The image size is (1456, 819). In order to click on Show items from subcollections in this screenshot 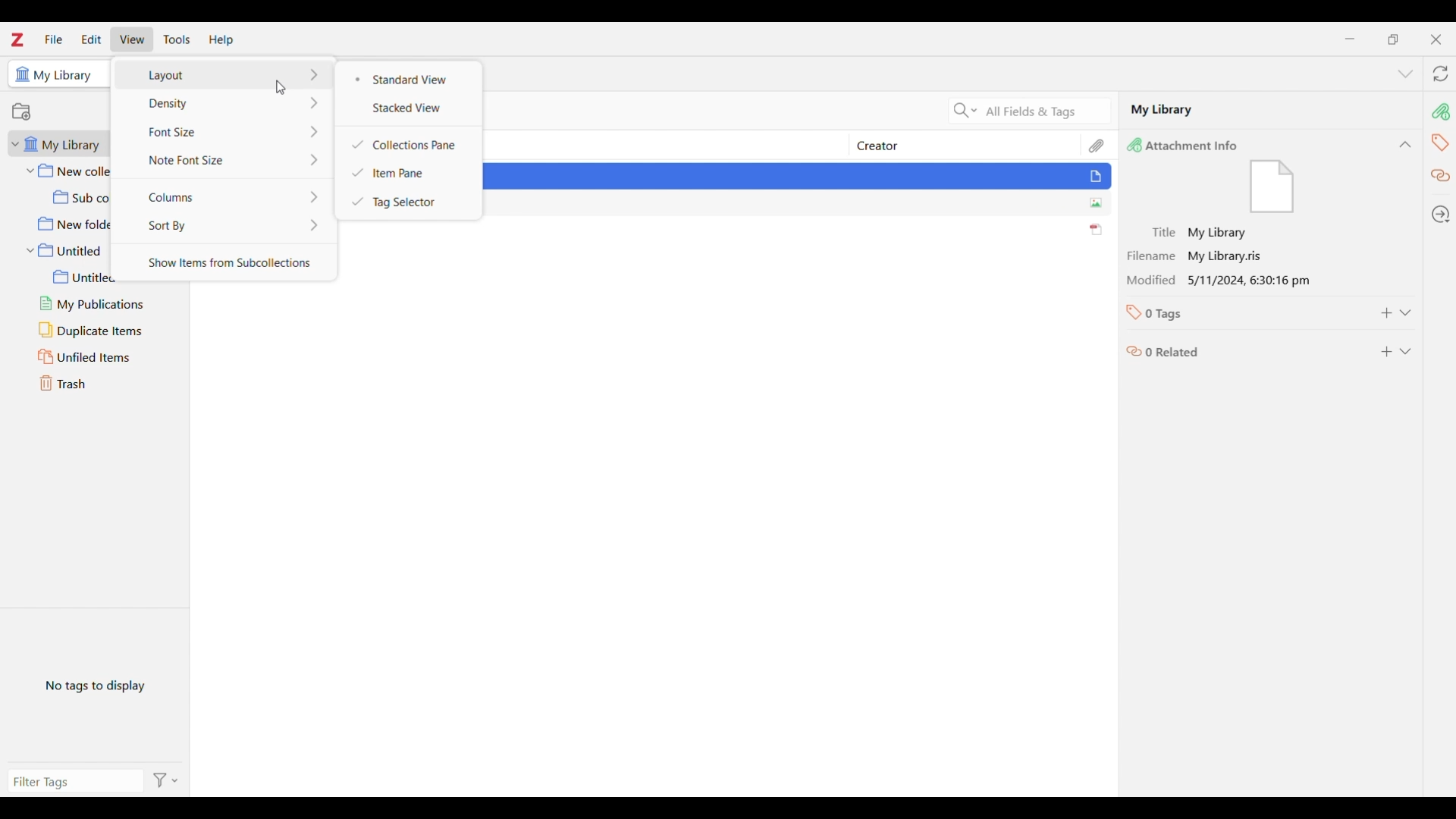, I will do `click(227, 261)`.